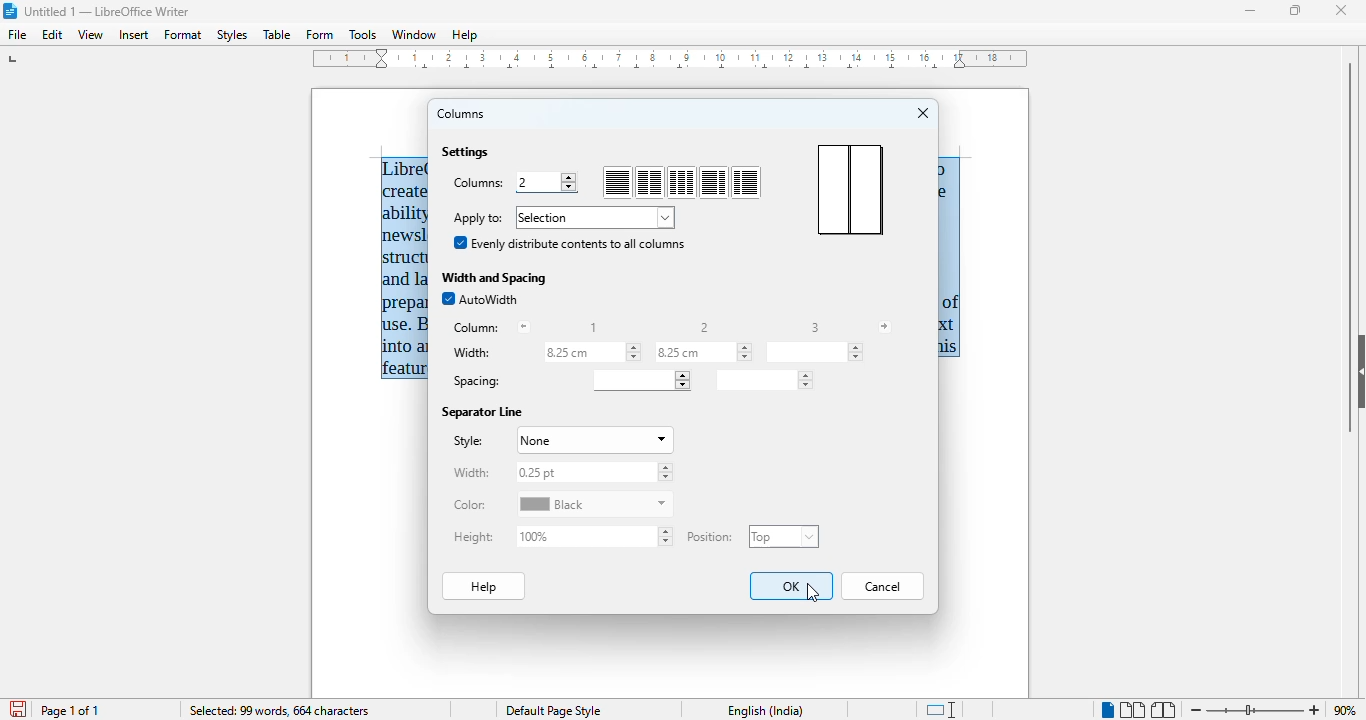 This screenshot has width=1366, height=720. I want to click on evenly distribute contents to all columns, so click(569, 242).